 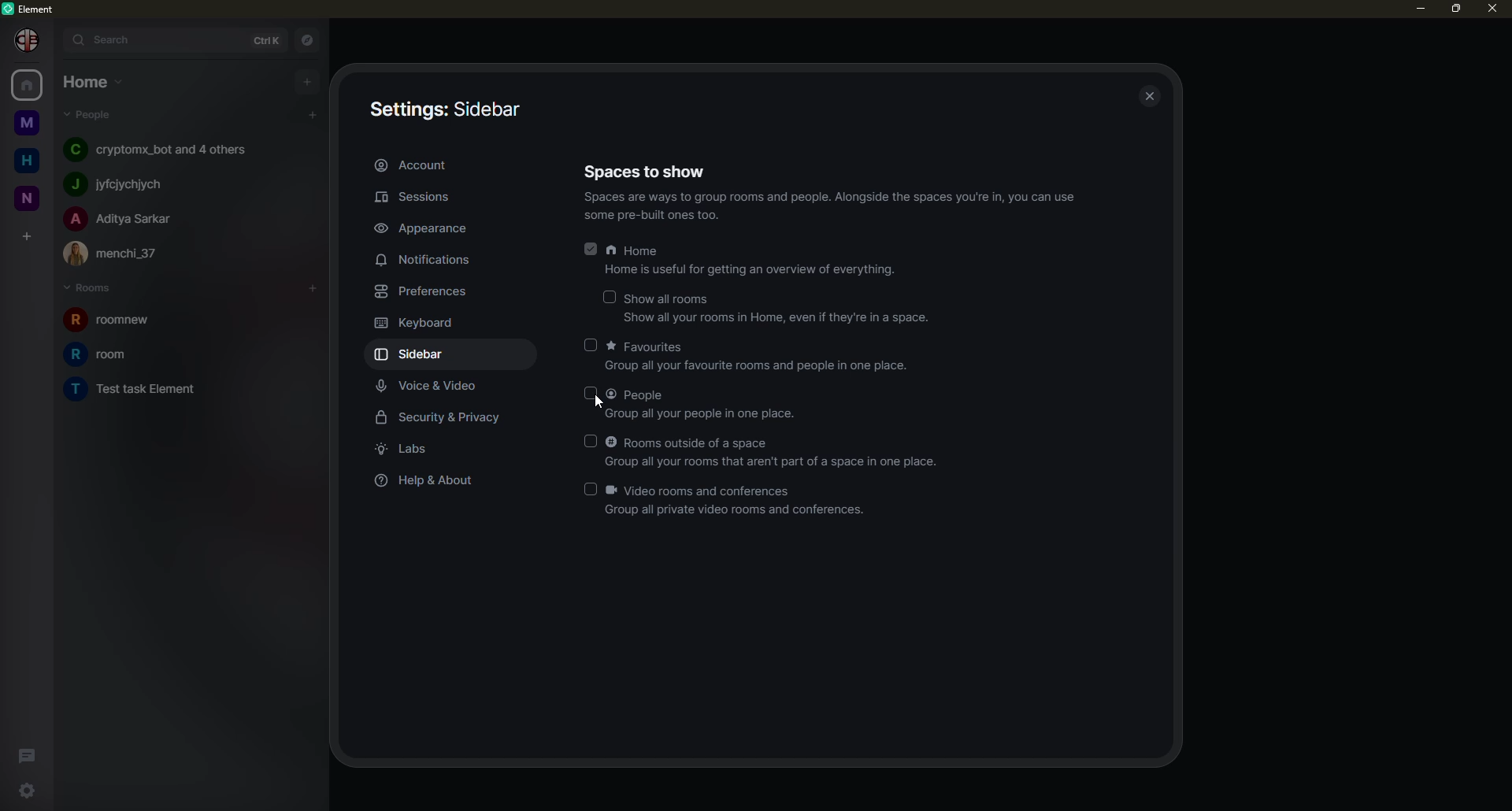 What do you see at coordinates (591, 345) in the screenshot?
I see `click to enable` at bounding box center [591, 345].